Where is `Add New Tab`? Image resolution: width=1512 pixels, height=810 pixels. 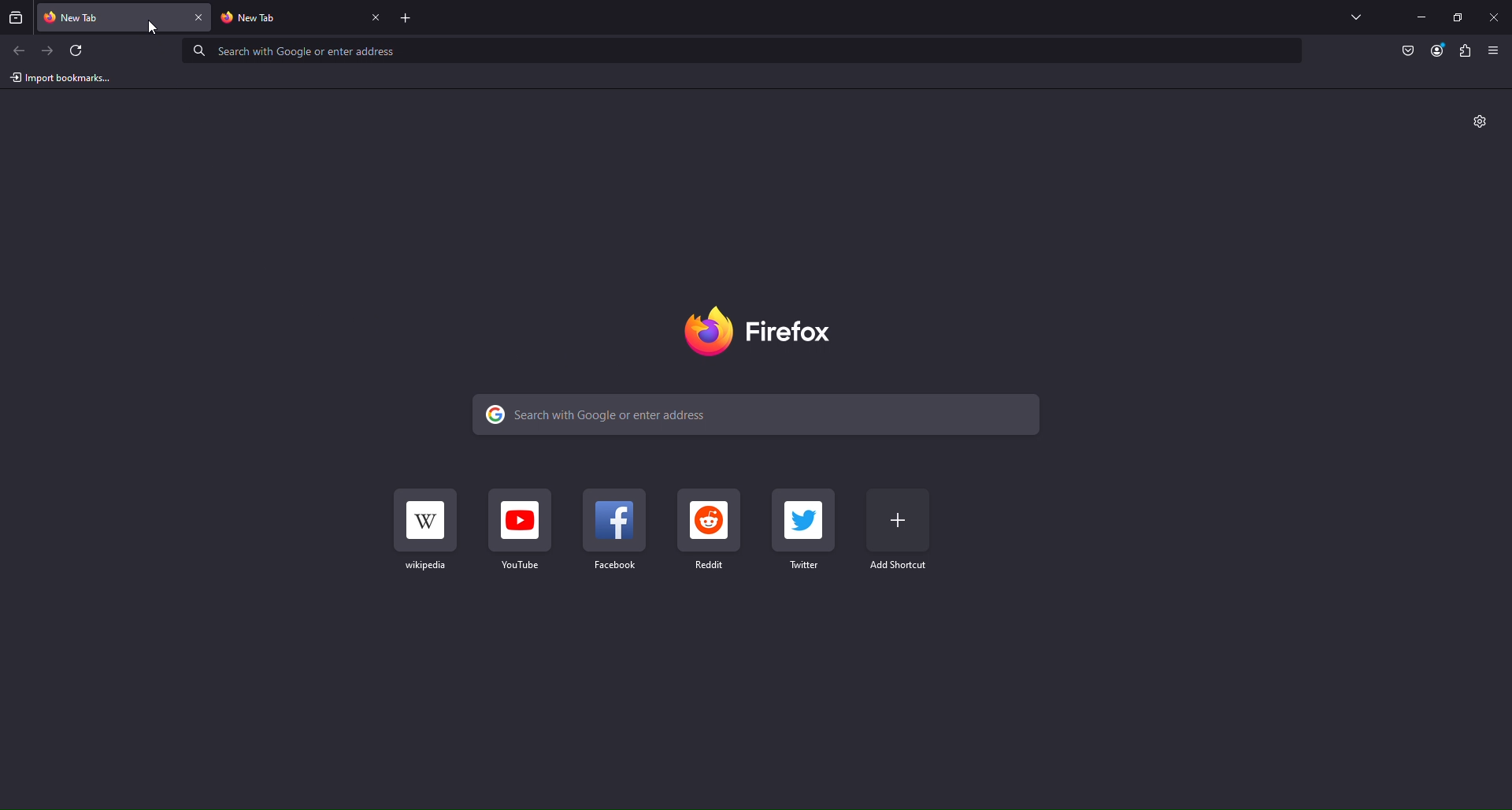 Add New Tab is located at coordinates (409, 17).